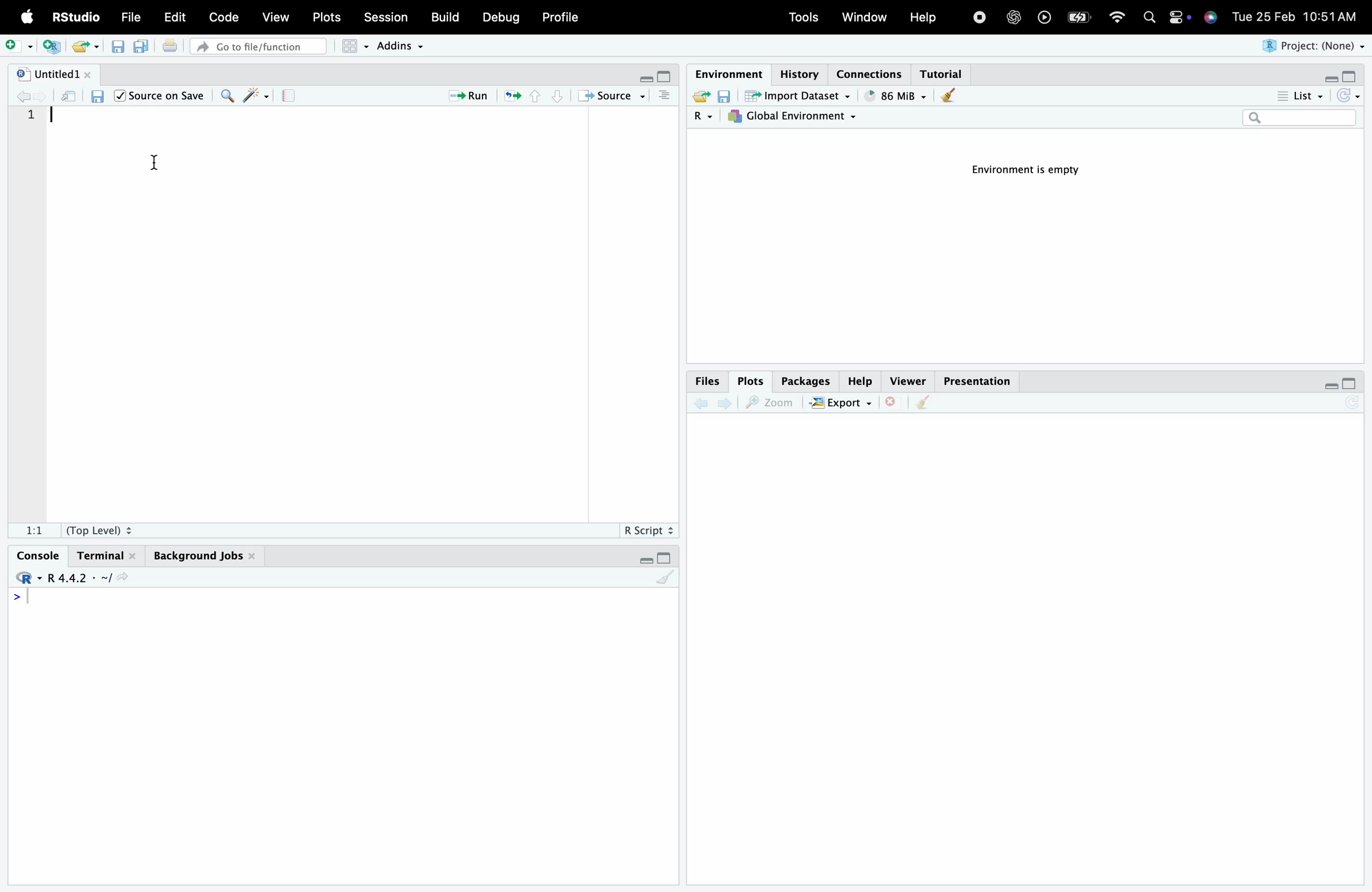 The image size is (1372, 892). What do you see at coordinates (1178, 19) in the screenshot?
I see `settings` at bounding box center [1178, 19].